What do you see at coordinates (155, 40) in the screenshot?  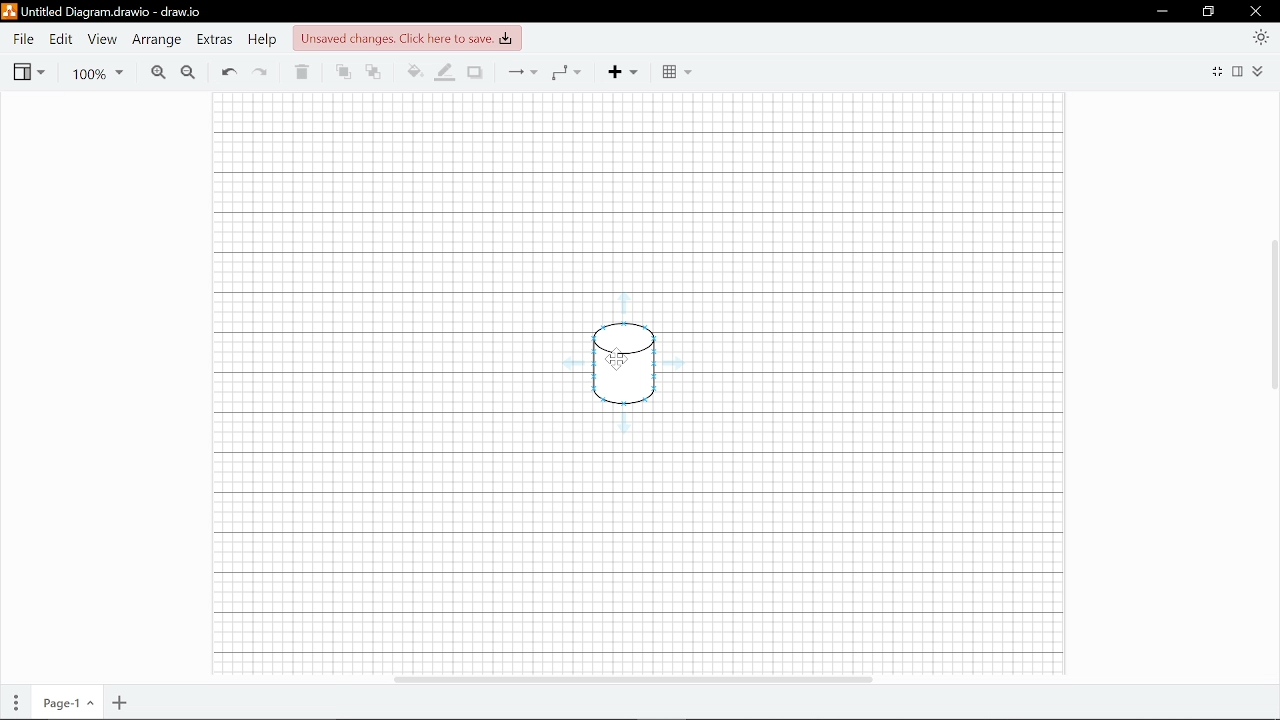 I see `Arrange` at bounding box center [155, 40].